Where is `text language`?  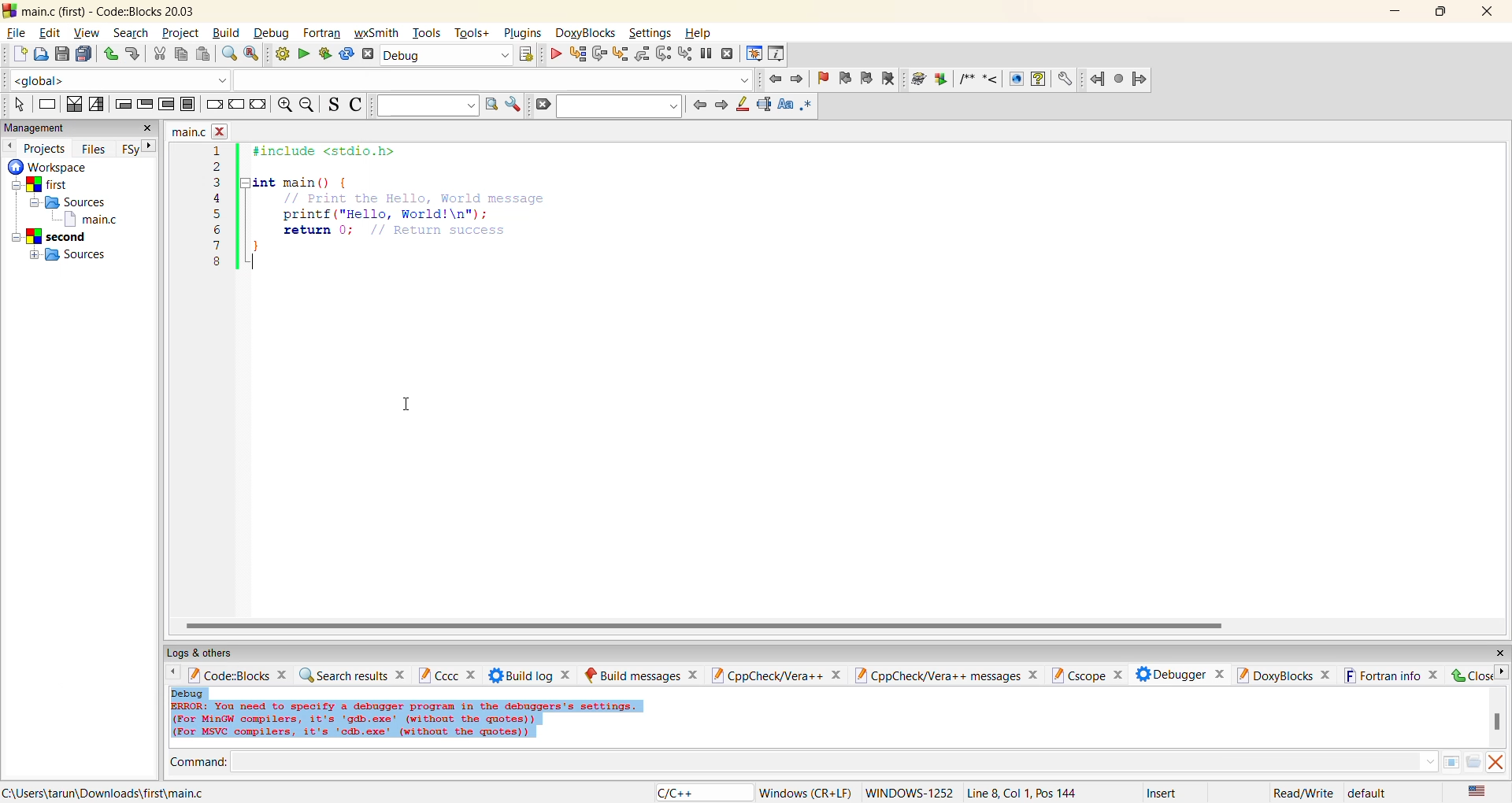
text language is located at coordinates (1480, 792).